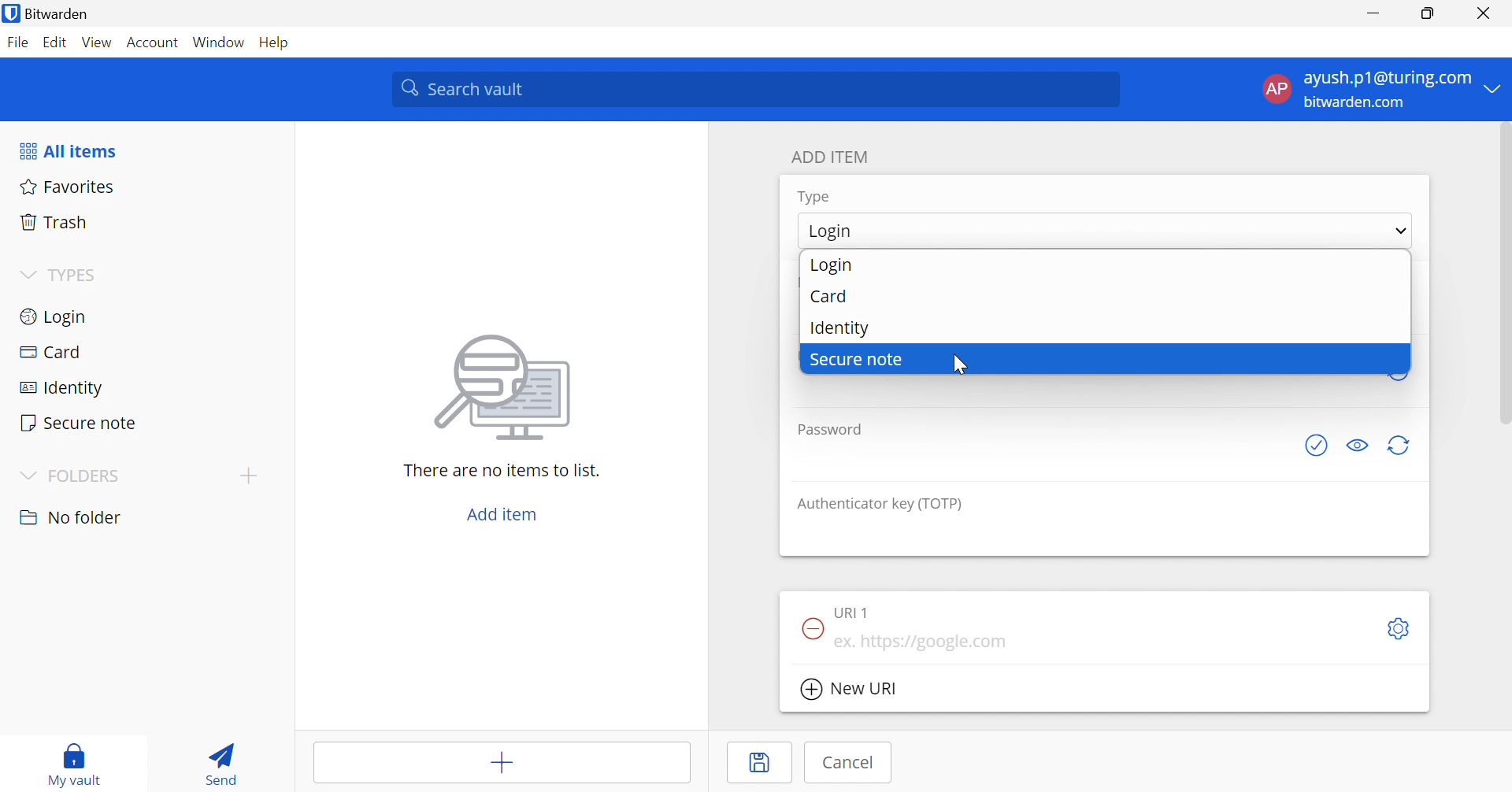  I want to click on Add item, so click(502, 763).